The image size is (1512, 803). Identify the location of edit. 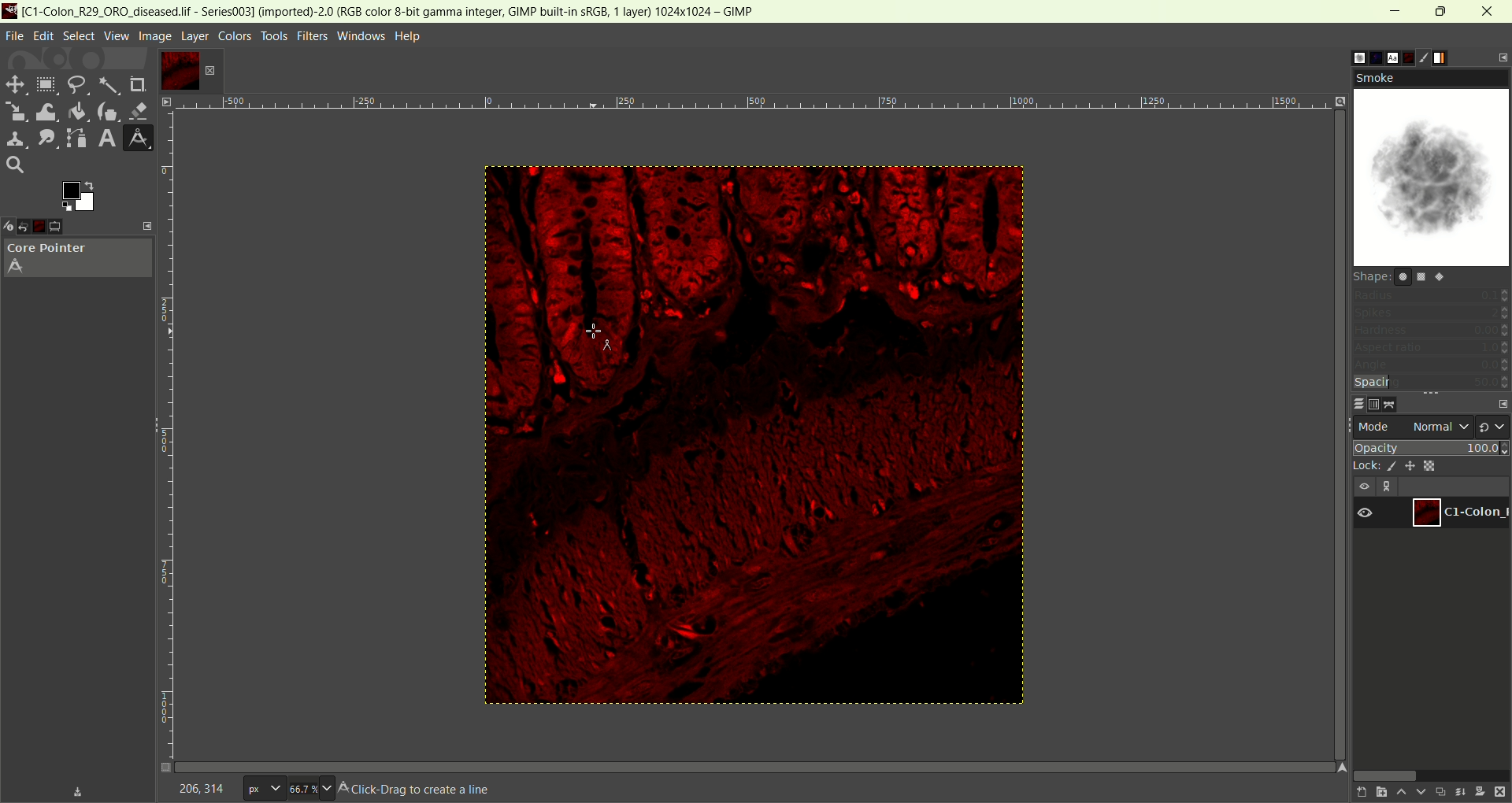
(44, 36).